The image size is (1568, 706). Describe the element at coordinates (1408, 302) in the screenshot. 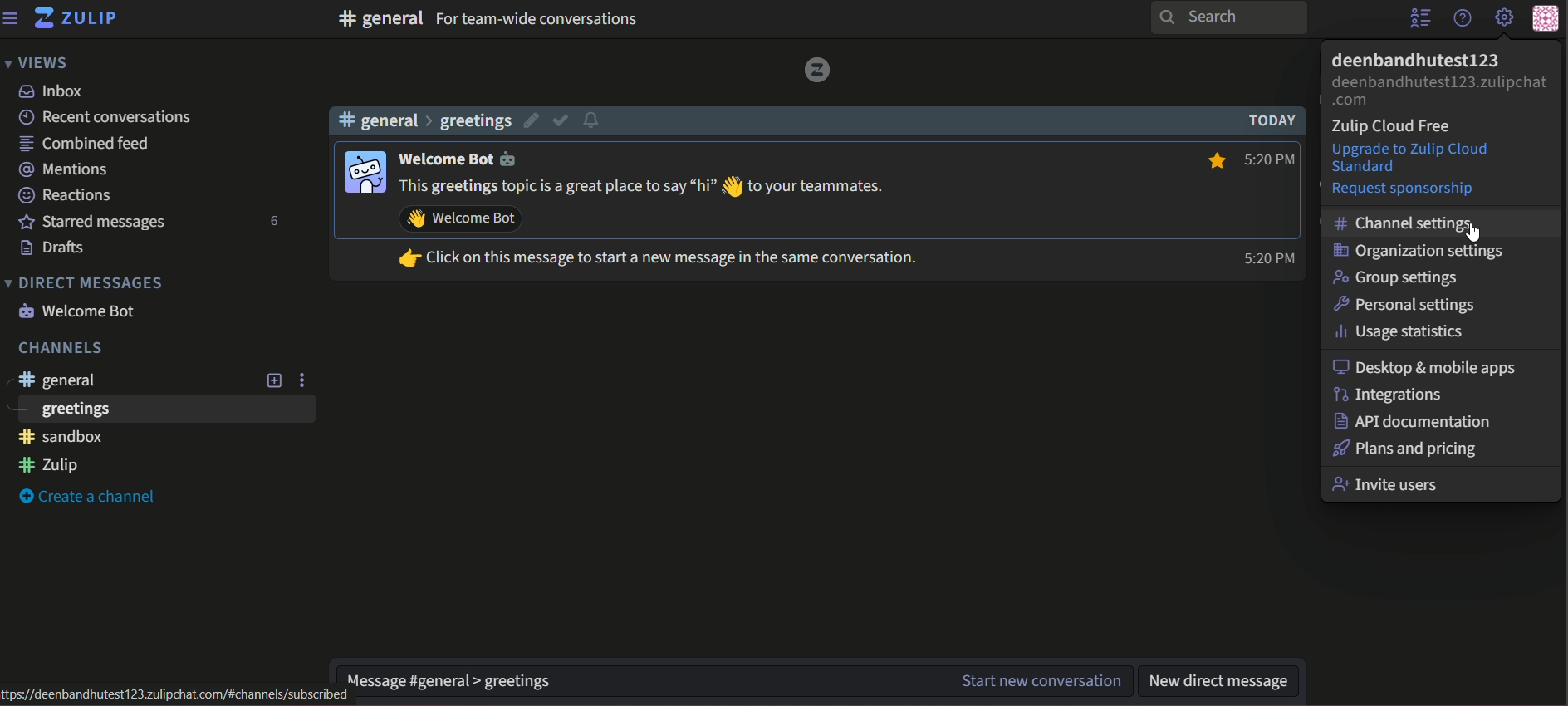

I see `personal settings` at that location.